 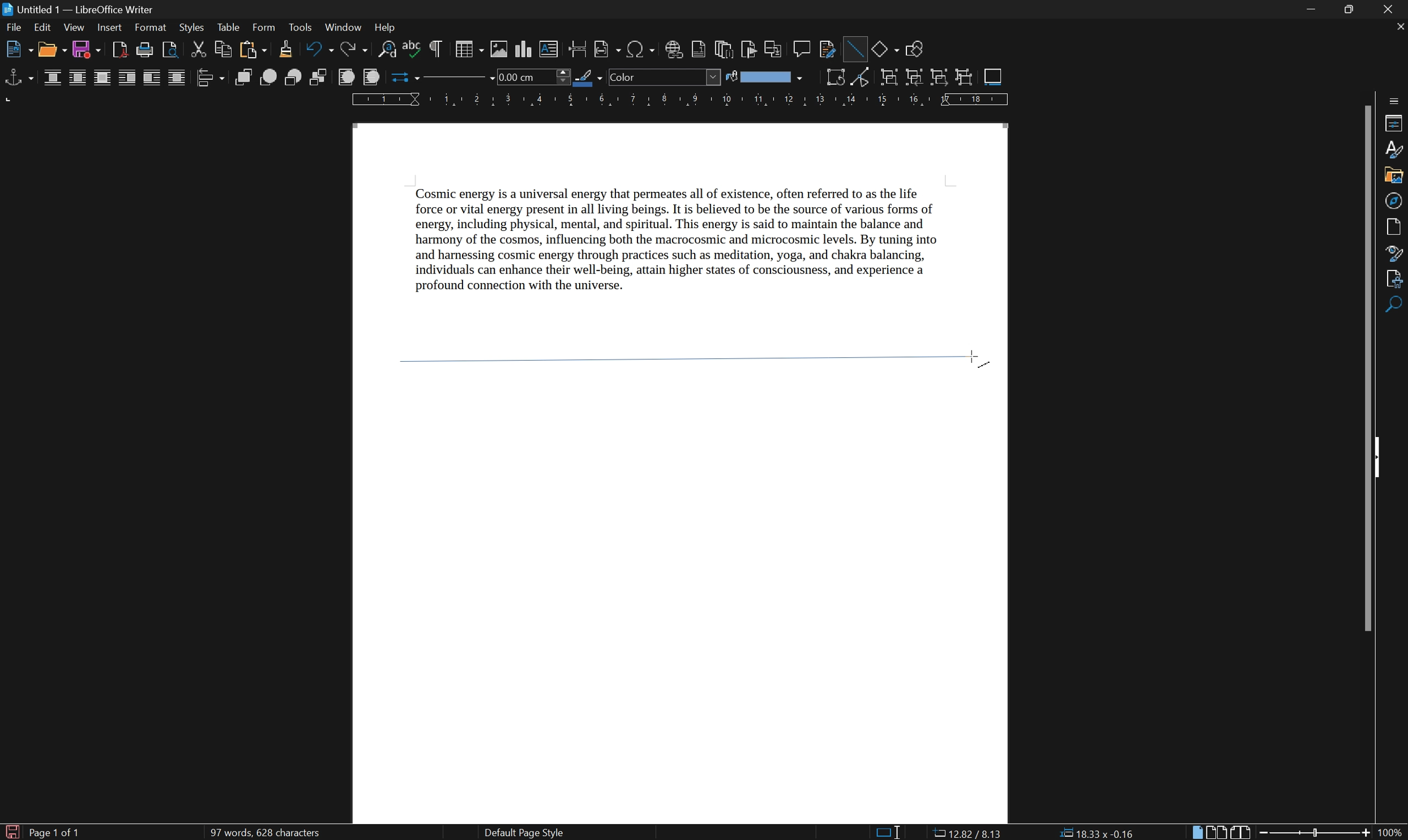 I want to click on insert footnote, so click(x=698, y=50).